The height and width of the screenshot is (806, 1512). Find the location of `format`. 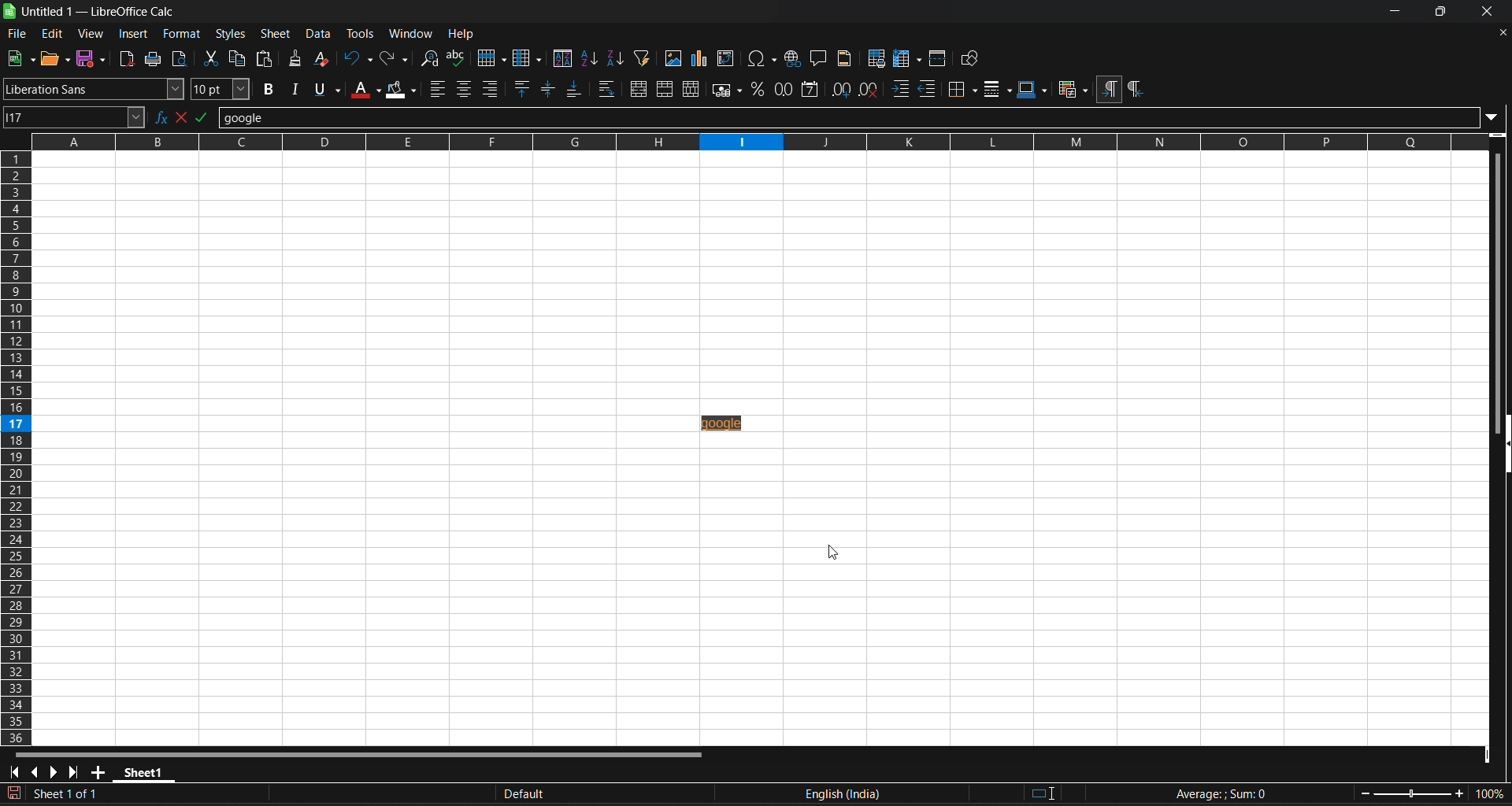

format is located at coordinates (180, 34).